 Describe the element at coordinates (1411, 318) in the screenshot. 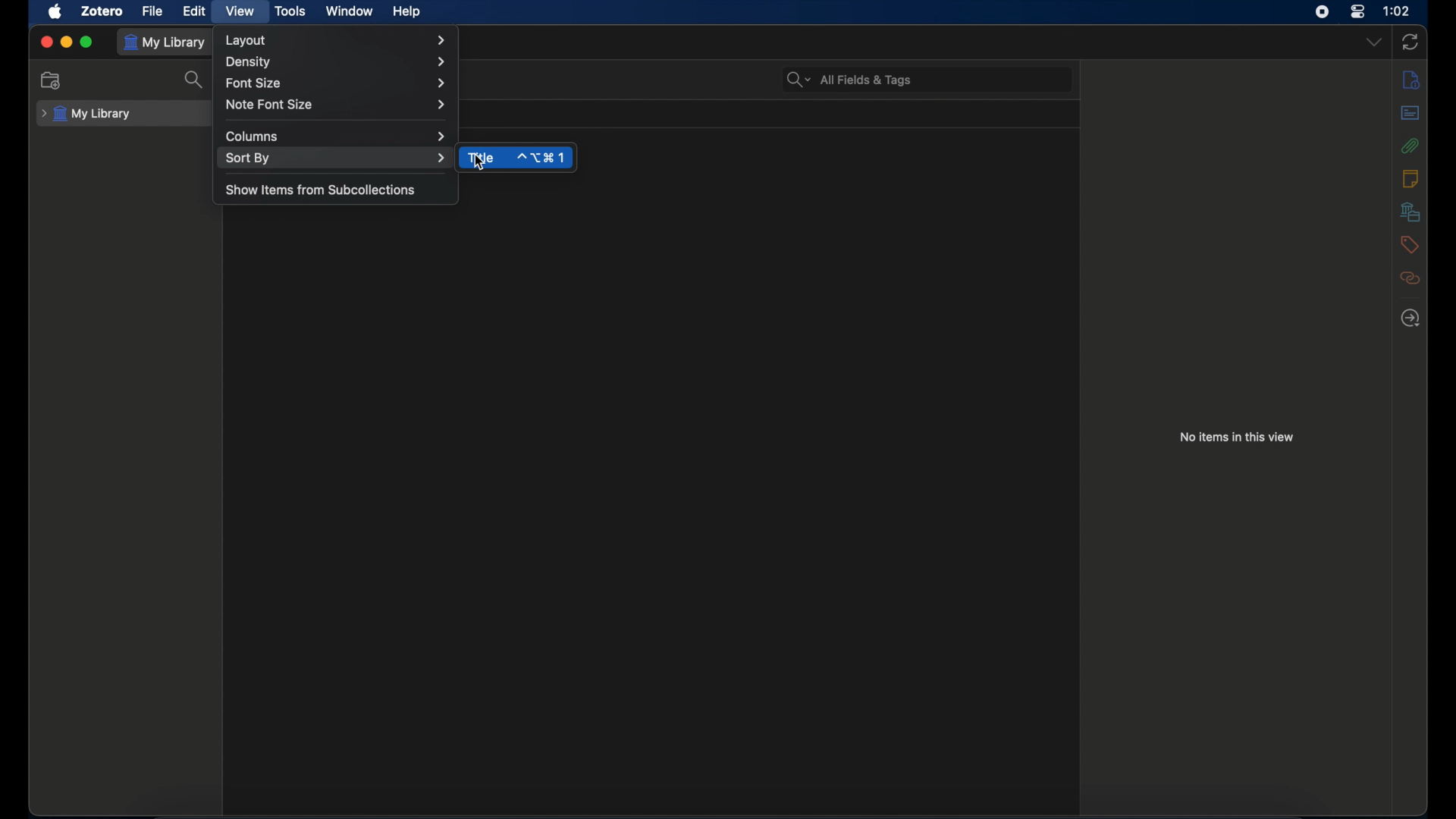

I see `locate` at that location.